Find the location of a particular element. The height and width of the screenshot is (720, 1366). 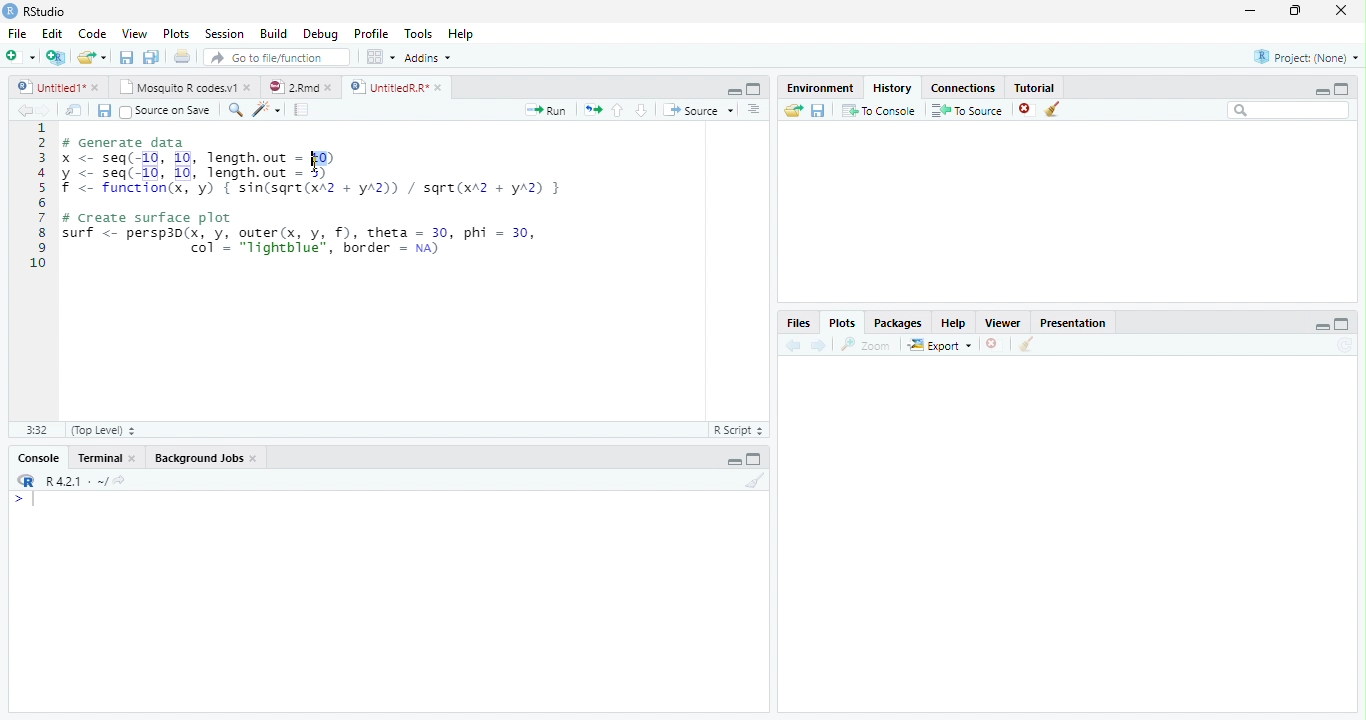

New line is located at coordinates (24, 502).